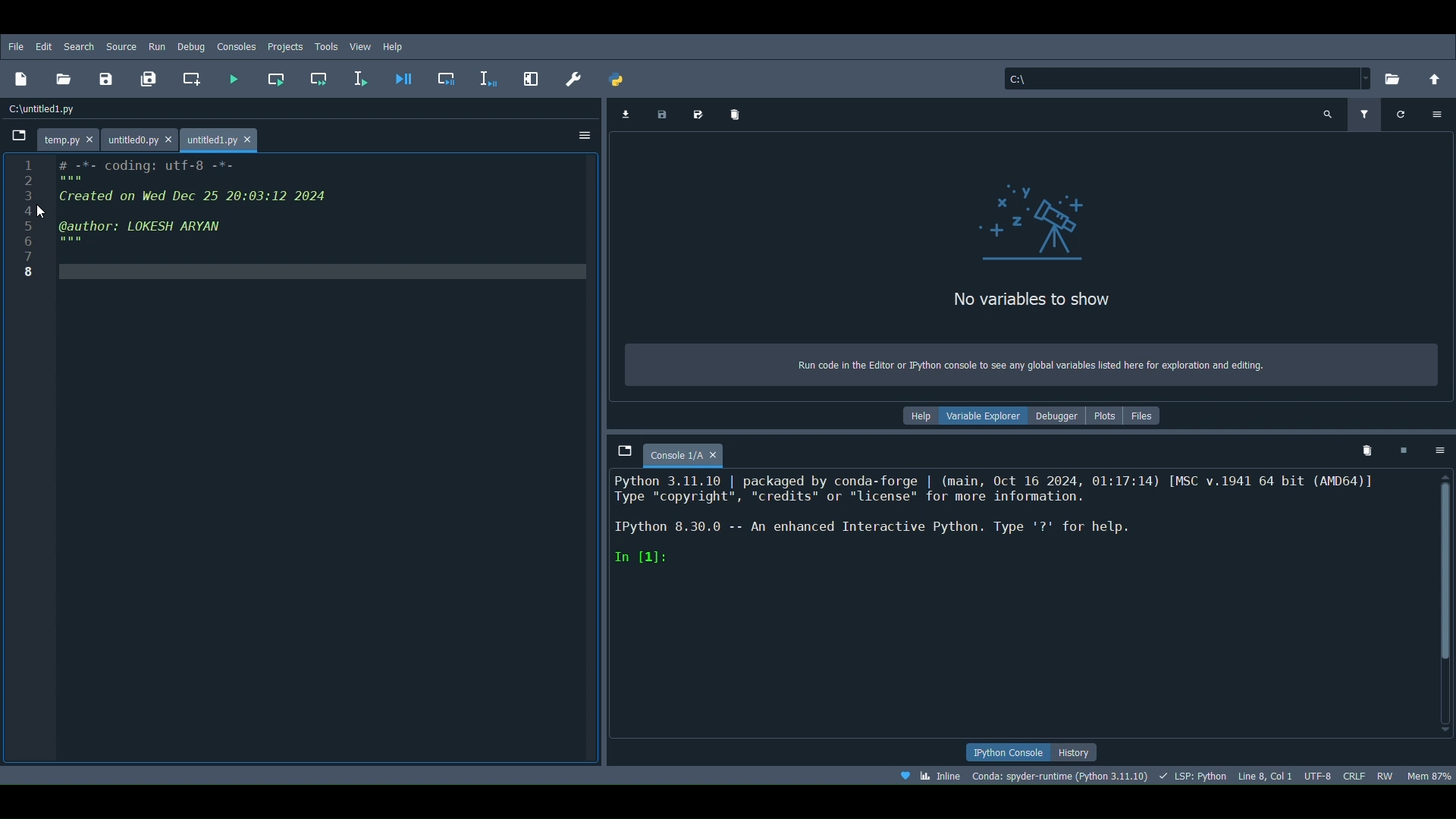 The image size is (1456, 819). What do you see at coordinates (1186, 78) in the screenshot?
I see `C: (file path)` at bounding box center [1186, 78].